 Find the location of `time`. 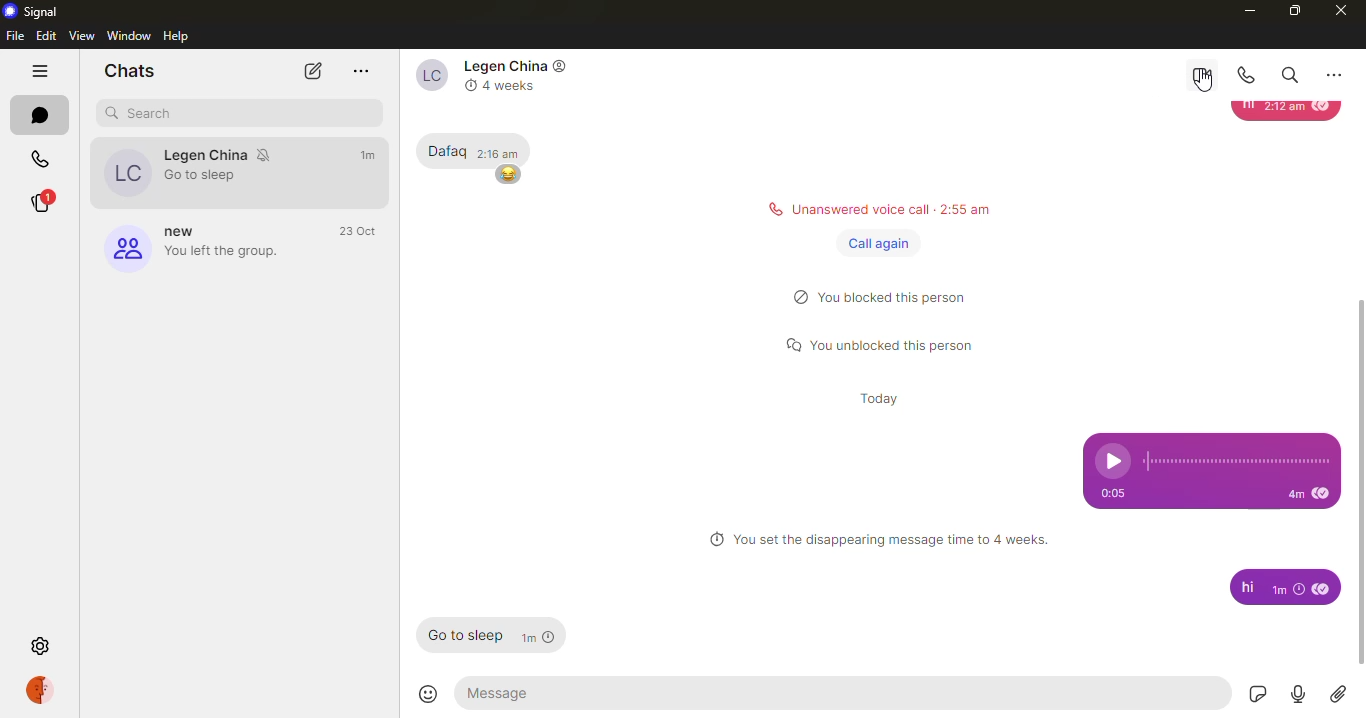

time is located at coordinates (356, 231).